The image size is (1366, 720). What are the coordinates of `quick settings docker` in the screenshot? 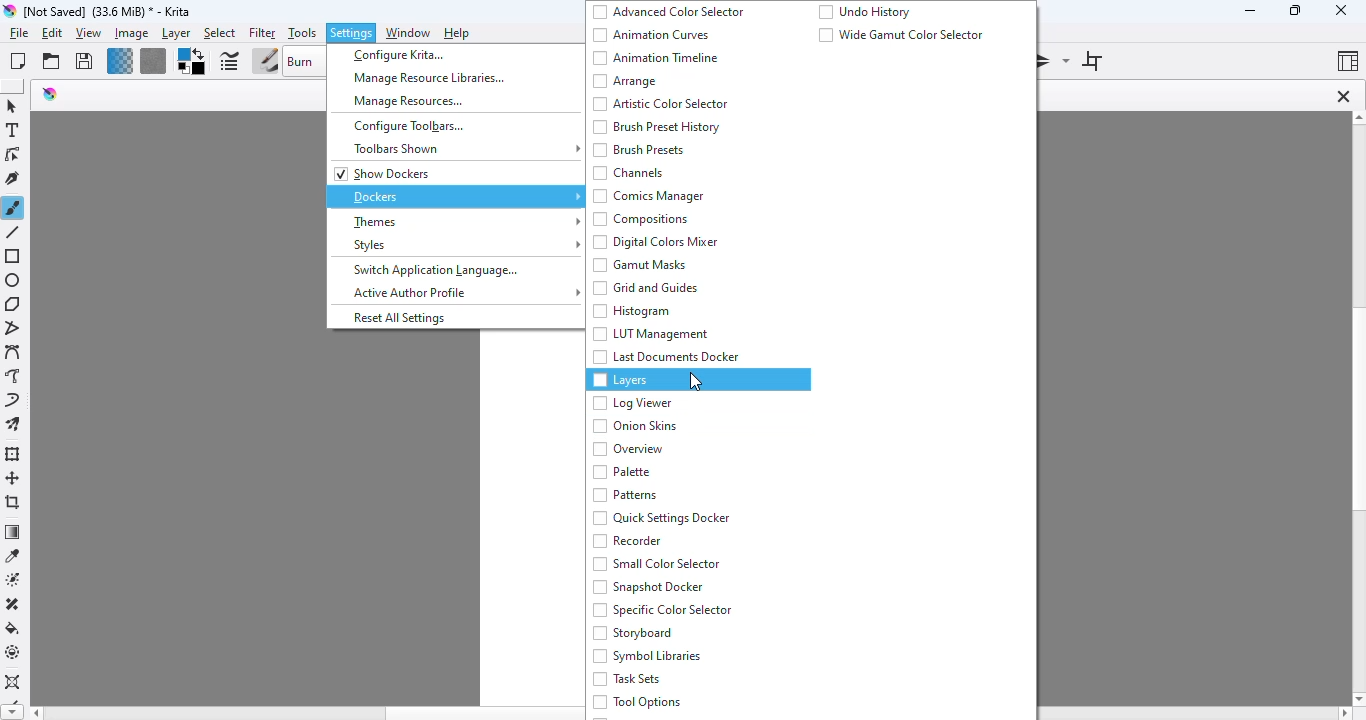 It's located at (661, 518).